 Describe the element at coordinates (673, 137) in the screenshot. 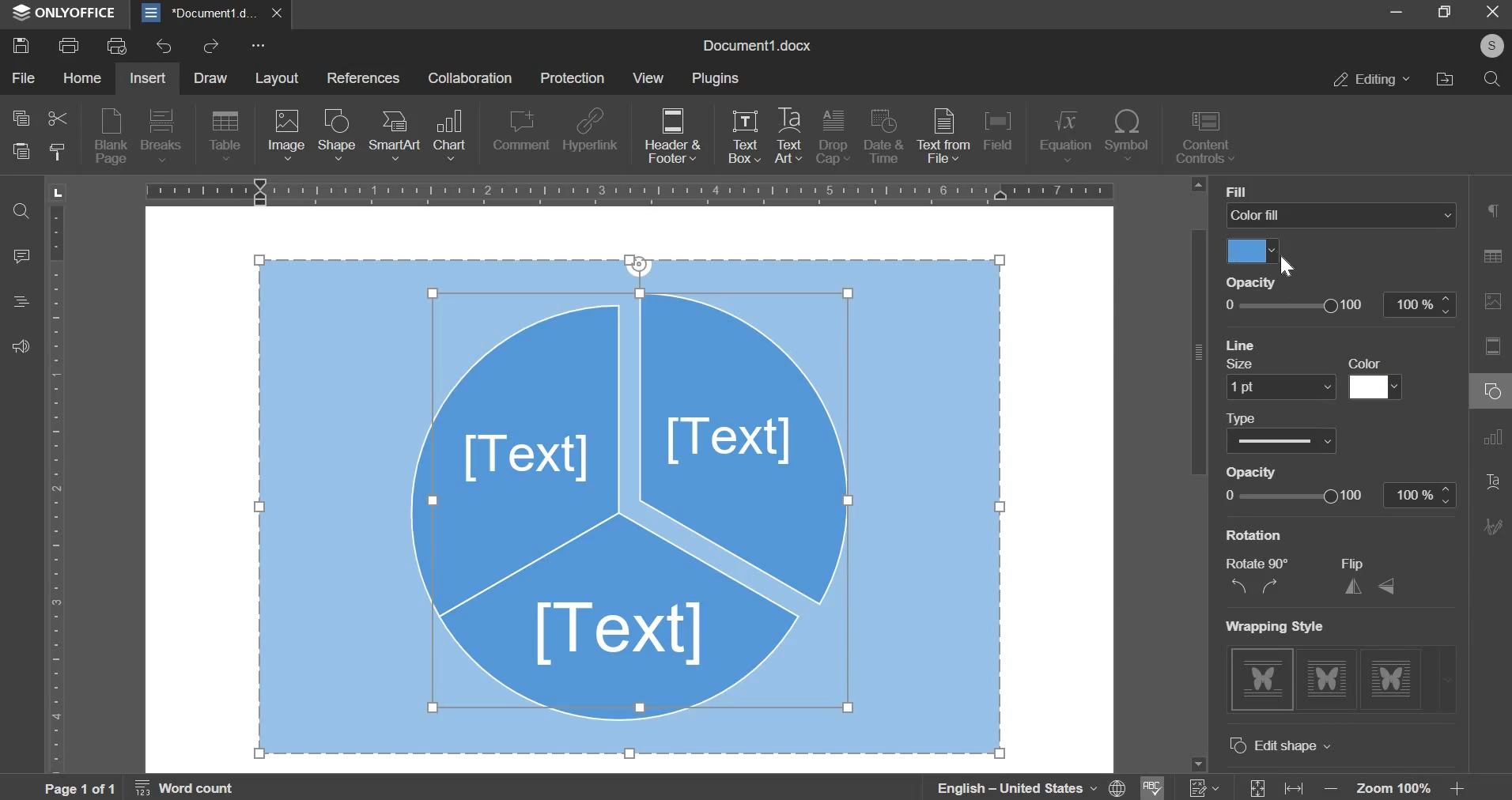

I see `header & footer` at that location.